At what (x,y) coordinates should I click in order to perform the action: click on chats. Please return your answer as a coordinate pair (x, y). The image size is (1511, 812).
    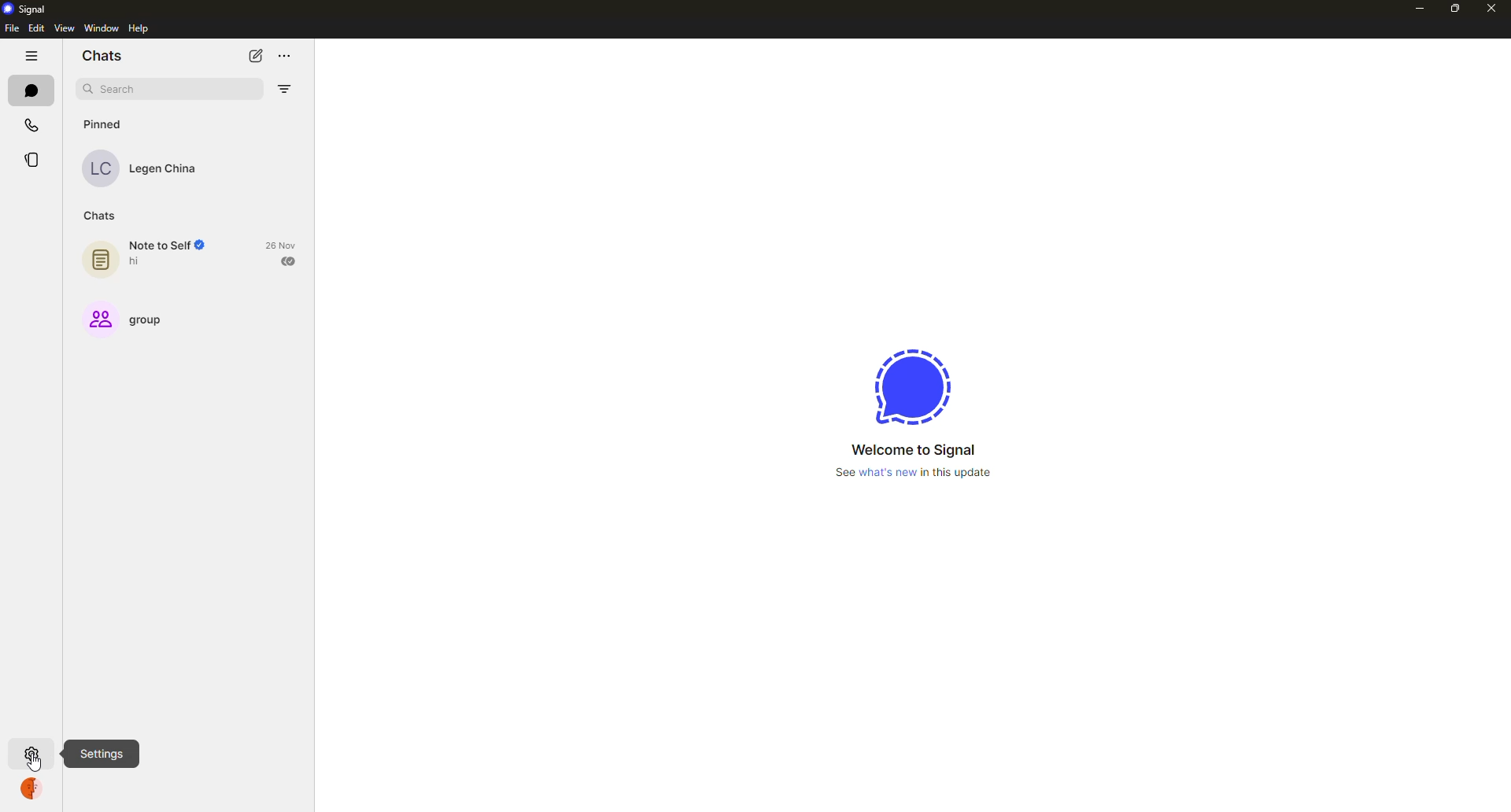
    Looking at the image, I should click on (102, 56).